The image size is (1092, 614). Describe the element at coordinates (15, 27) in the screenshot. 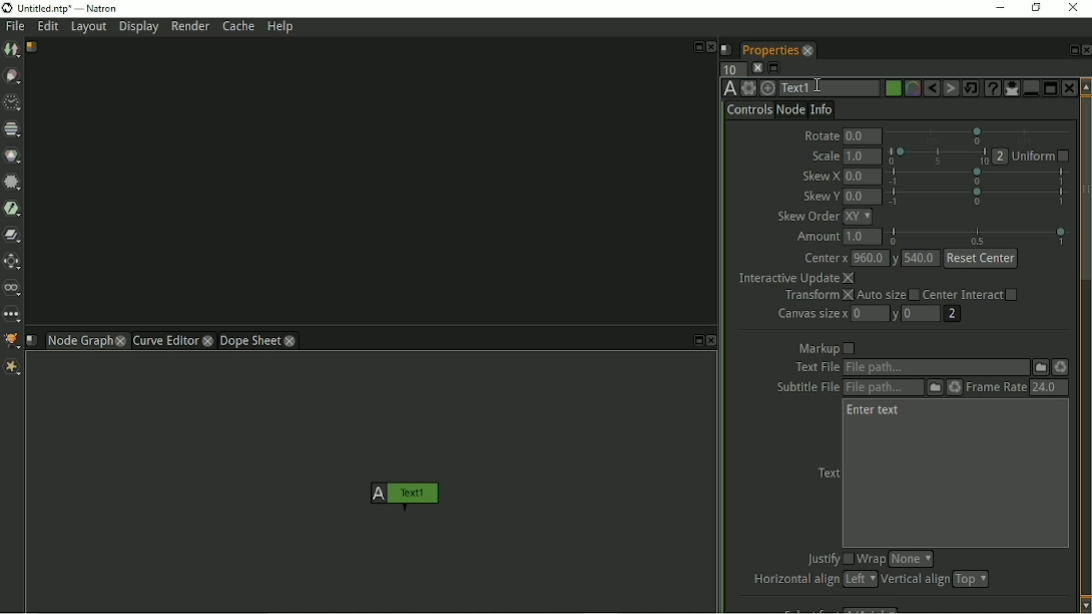

I see `File` at that location.